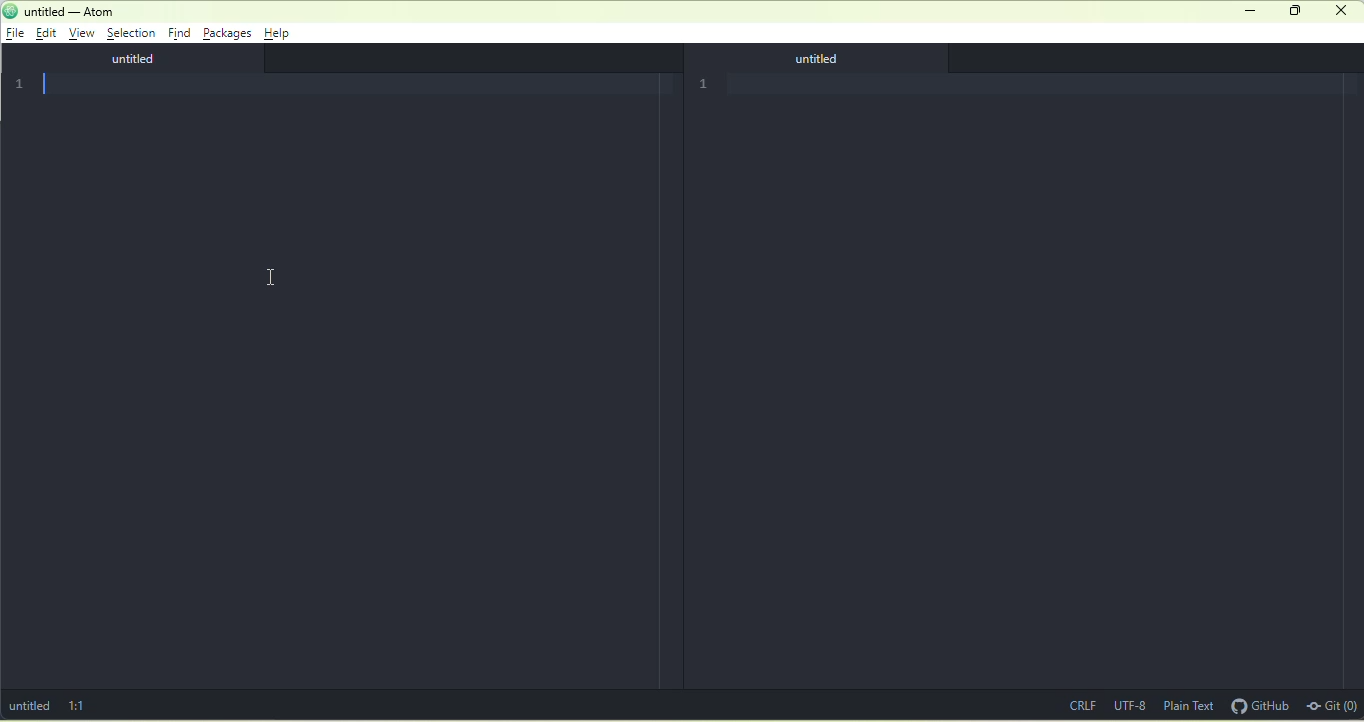 This screenshot has height=722, width=1364. Describe the element at coordinates (32, 707) in the screenshot. I see `untitled` at that location.